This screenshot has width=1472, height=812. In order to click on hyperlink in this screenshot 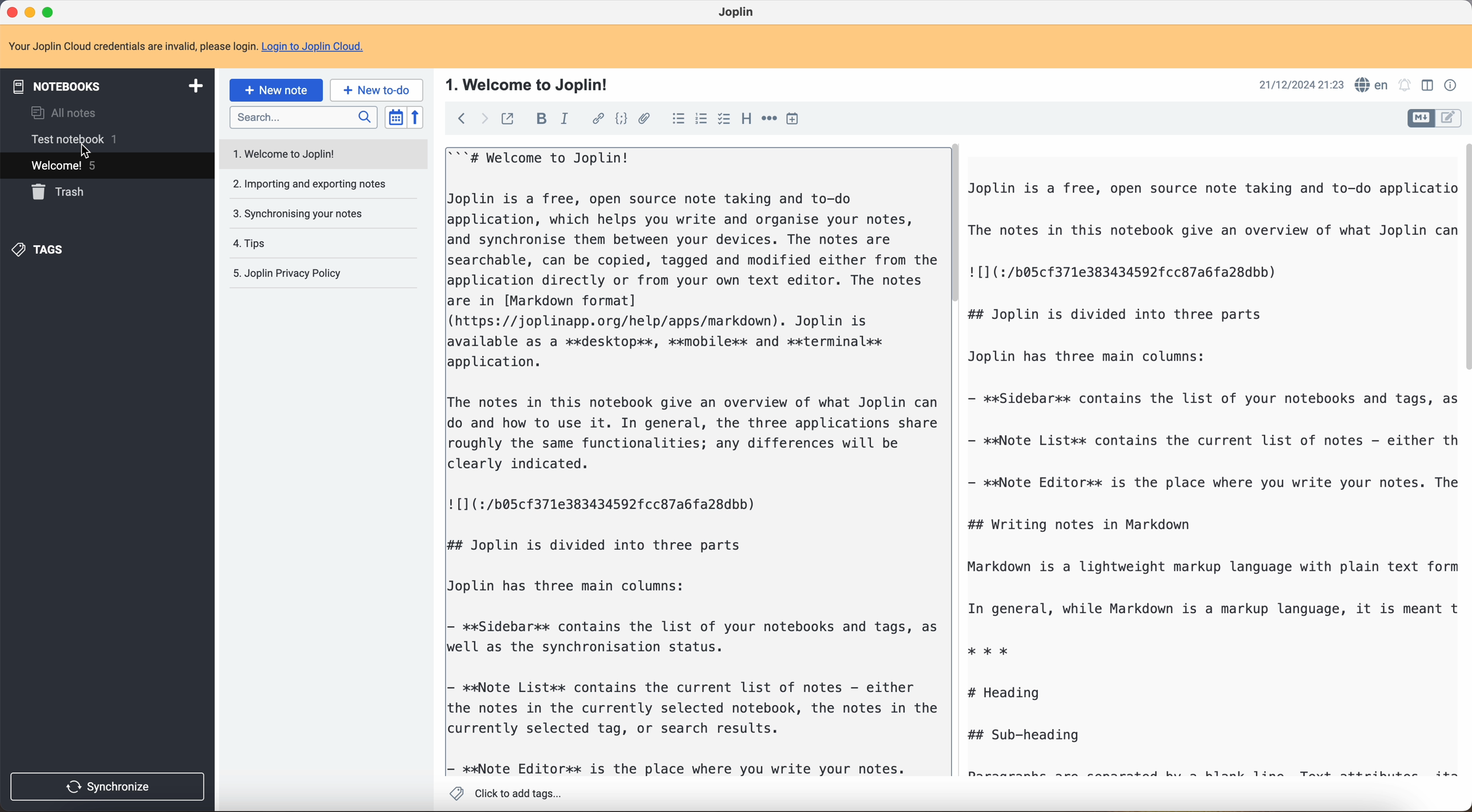, I will do `click(596, 119)`.